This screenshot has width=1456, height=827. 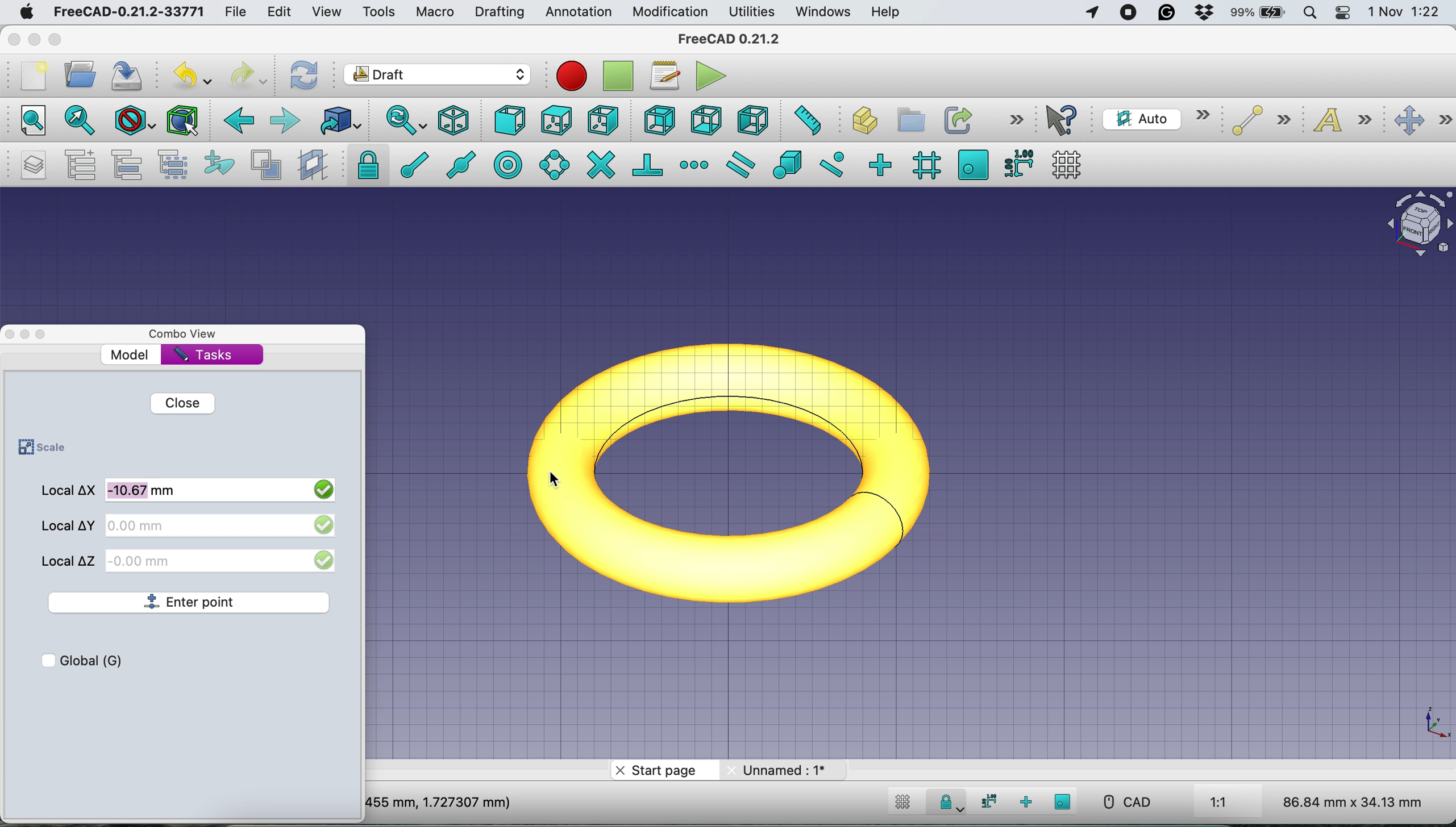 I want to click on snap dimensions, so click(x=1017, y=163).